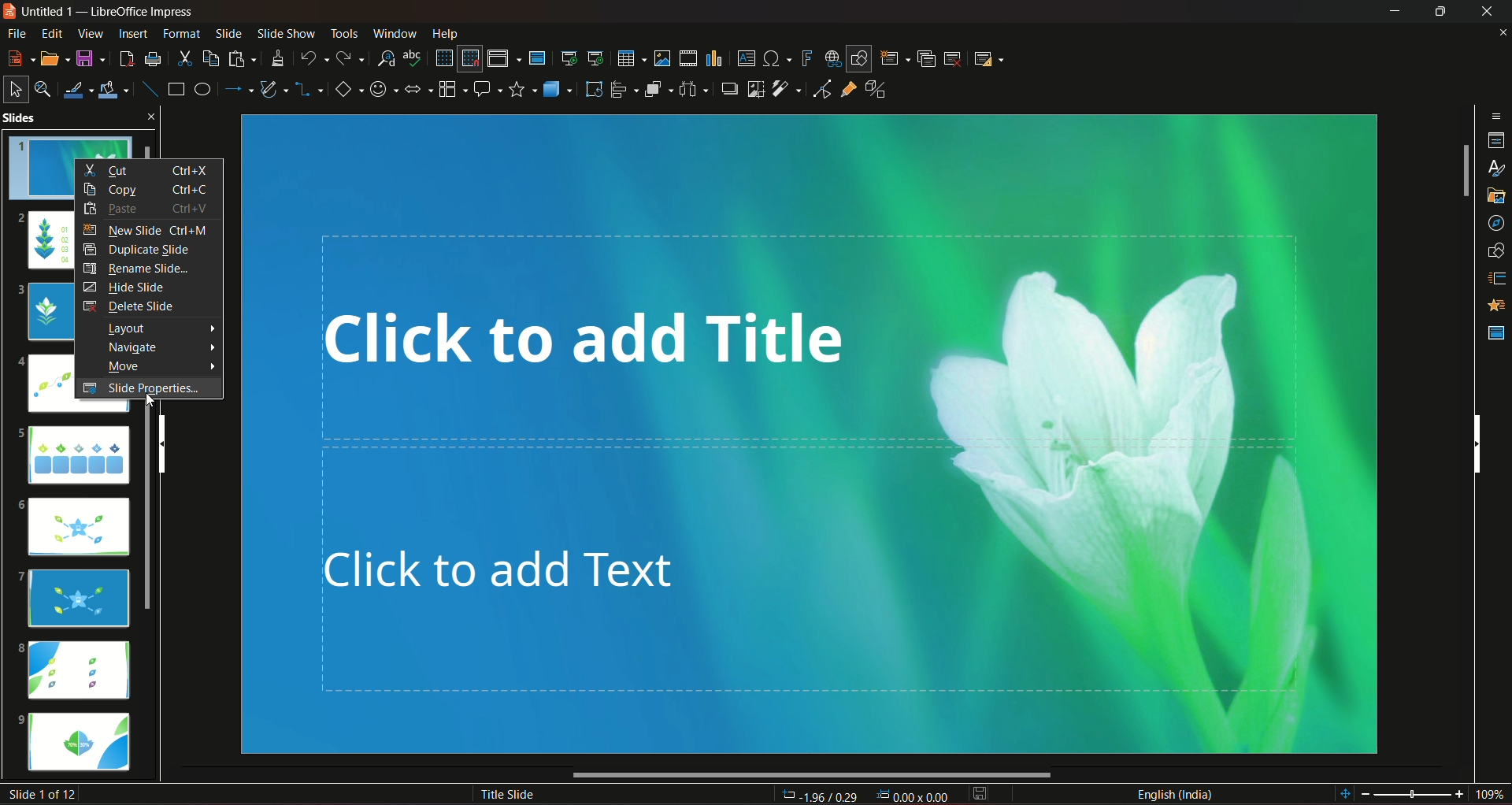 This screenshot has height=805, width=1512. What do you see at coordinates (16, 87) in the screenshot?
I see `select` at bounding box center [16, 87].